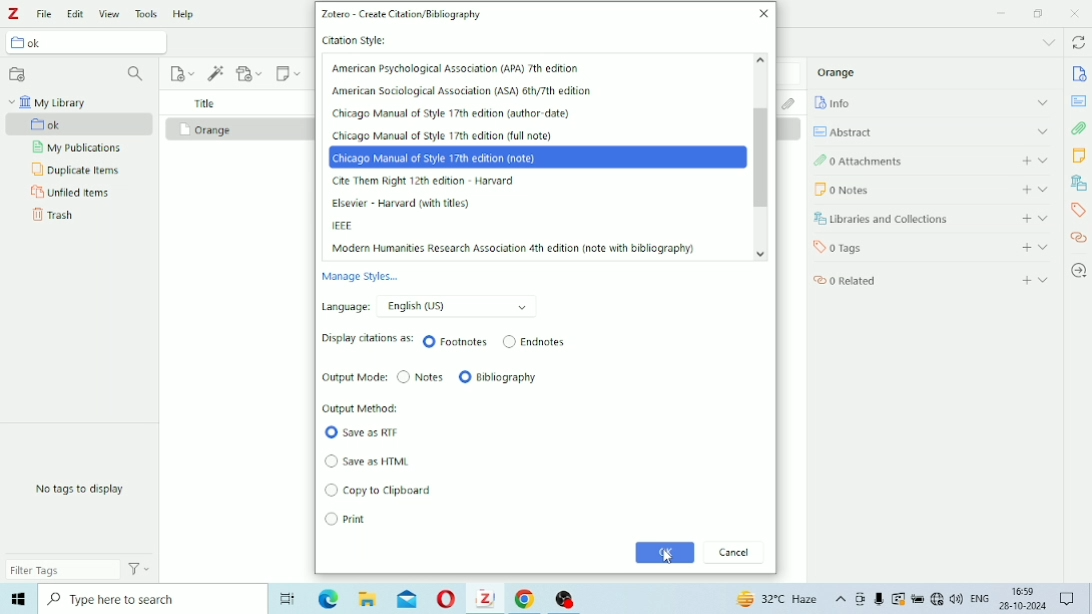  Describe the element at coordinates (420, 378) in the screenshot. I see `Notes` at that location.